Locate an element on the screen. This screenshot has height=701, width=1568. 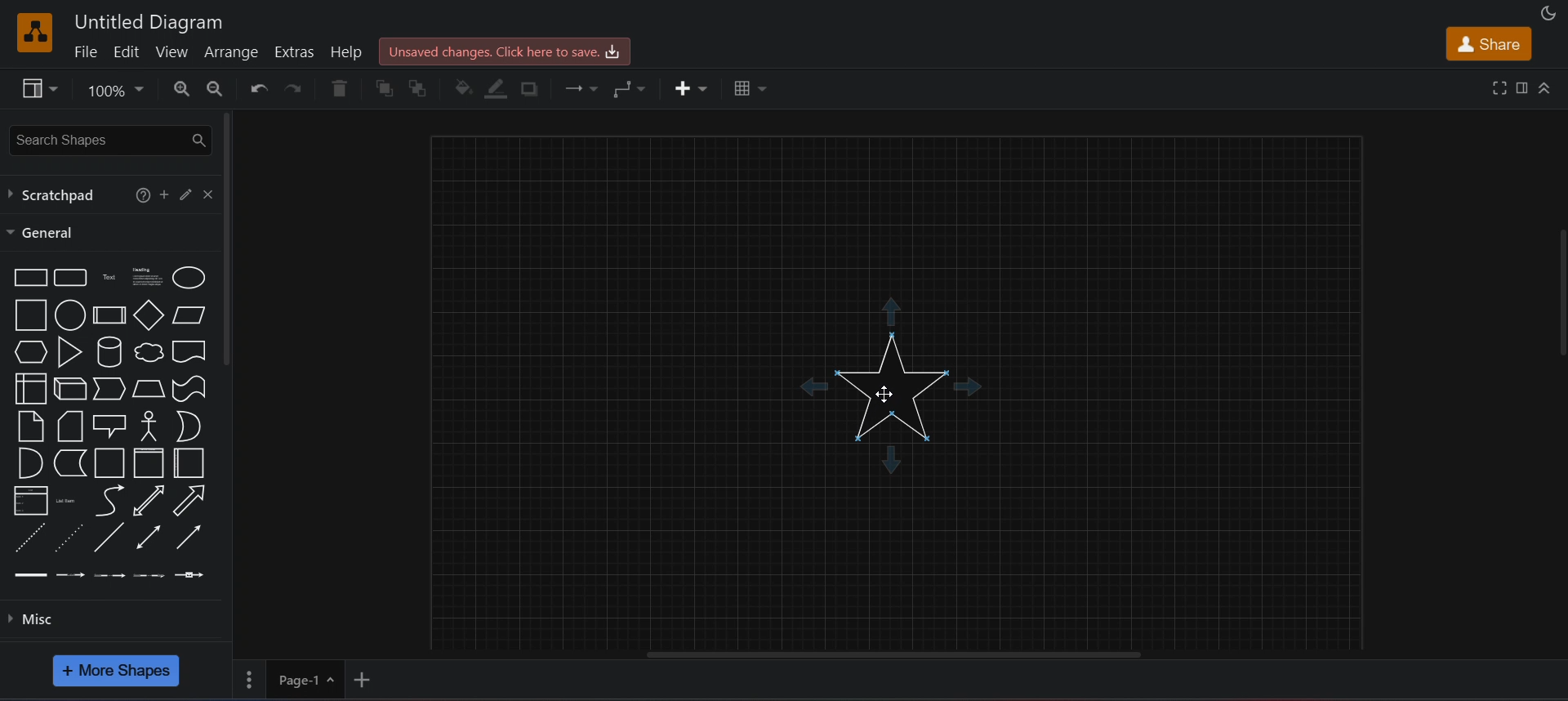
directional connector is located at coordinates (187, 538).